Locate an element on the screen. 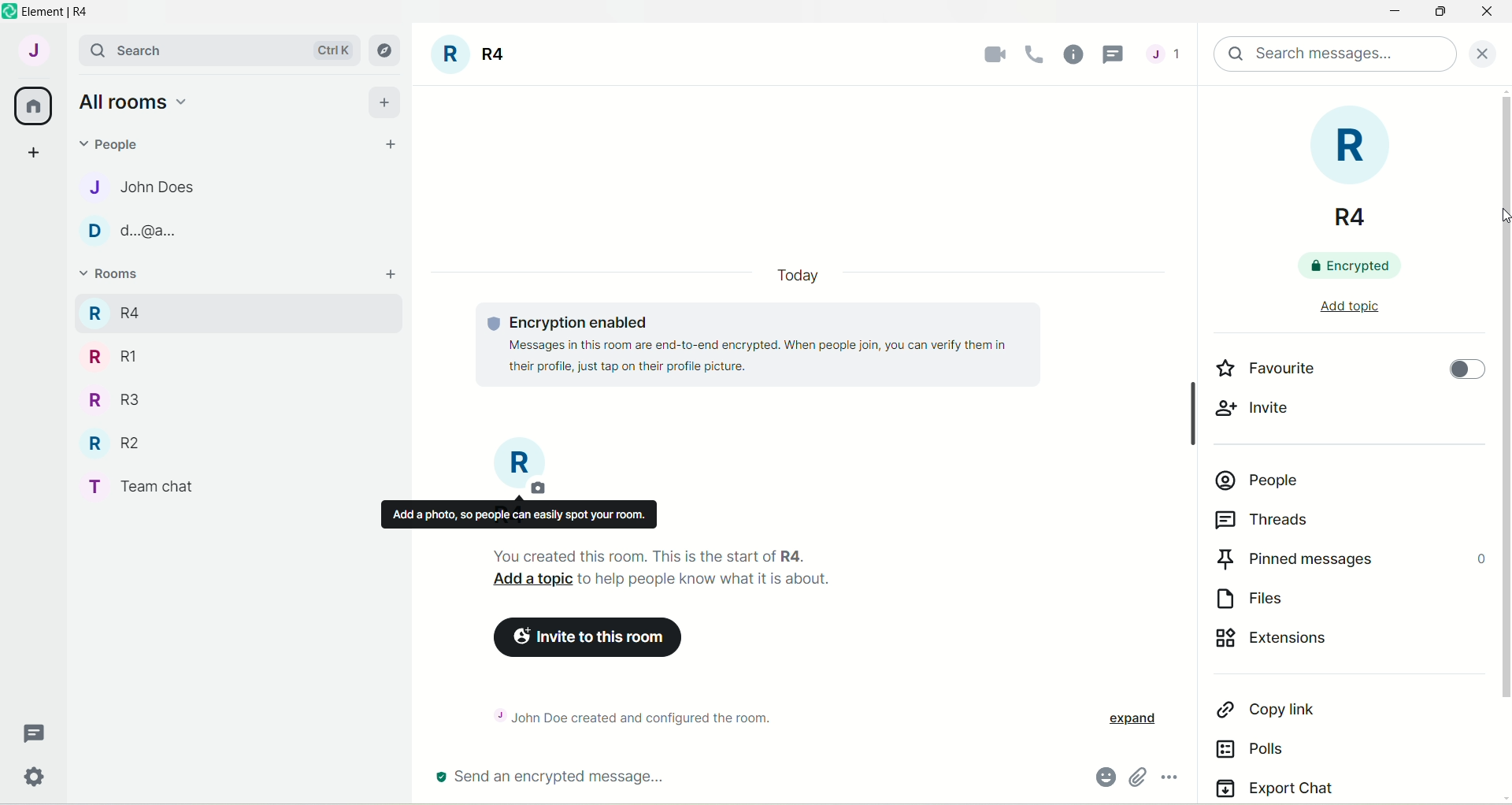 The image size is (1512, 805). logo is located at coordinates (9, 12).